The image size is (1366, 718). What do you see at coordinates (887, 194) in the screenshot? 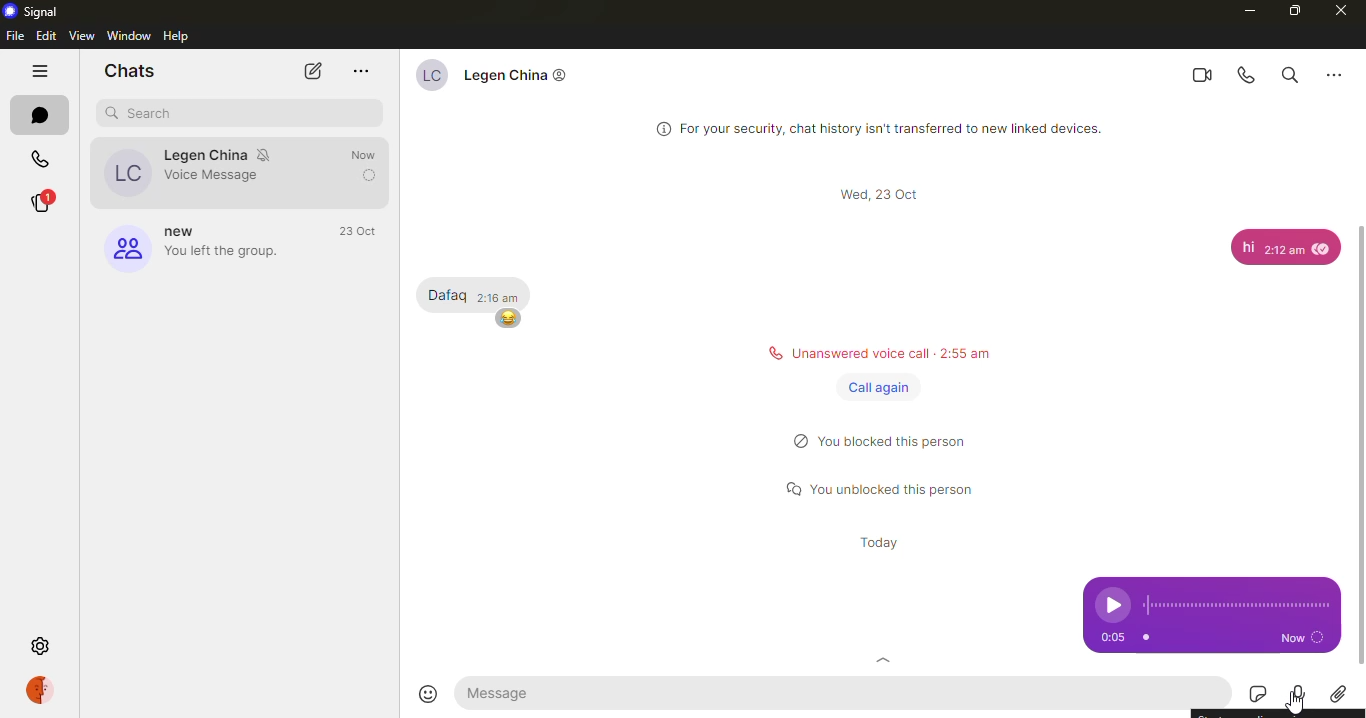
I see `scroll bar` at bounding box center [887, 194].